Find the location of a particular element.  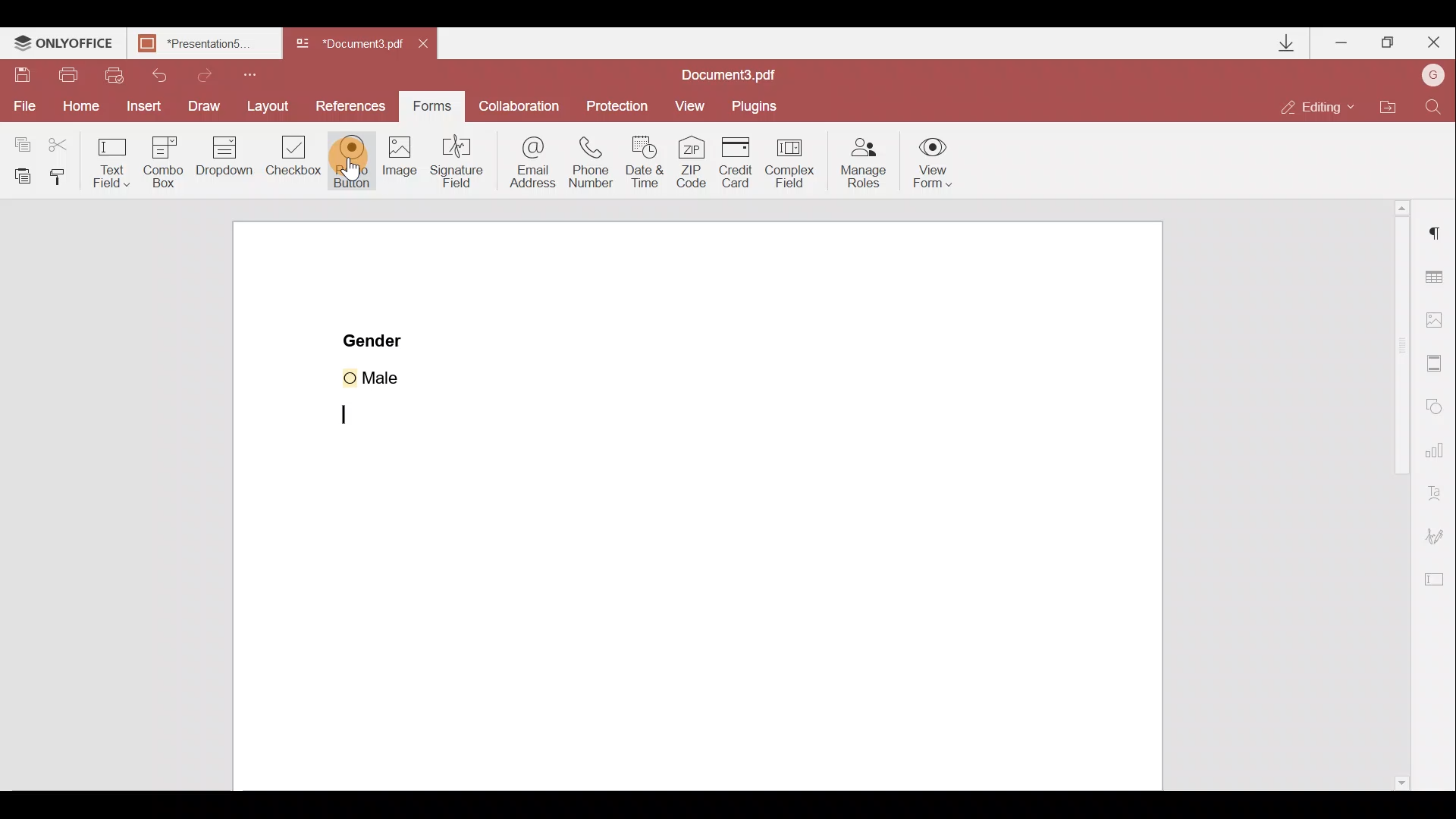

View is located at coordinates (697, 104).